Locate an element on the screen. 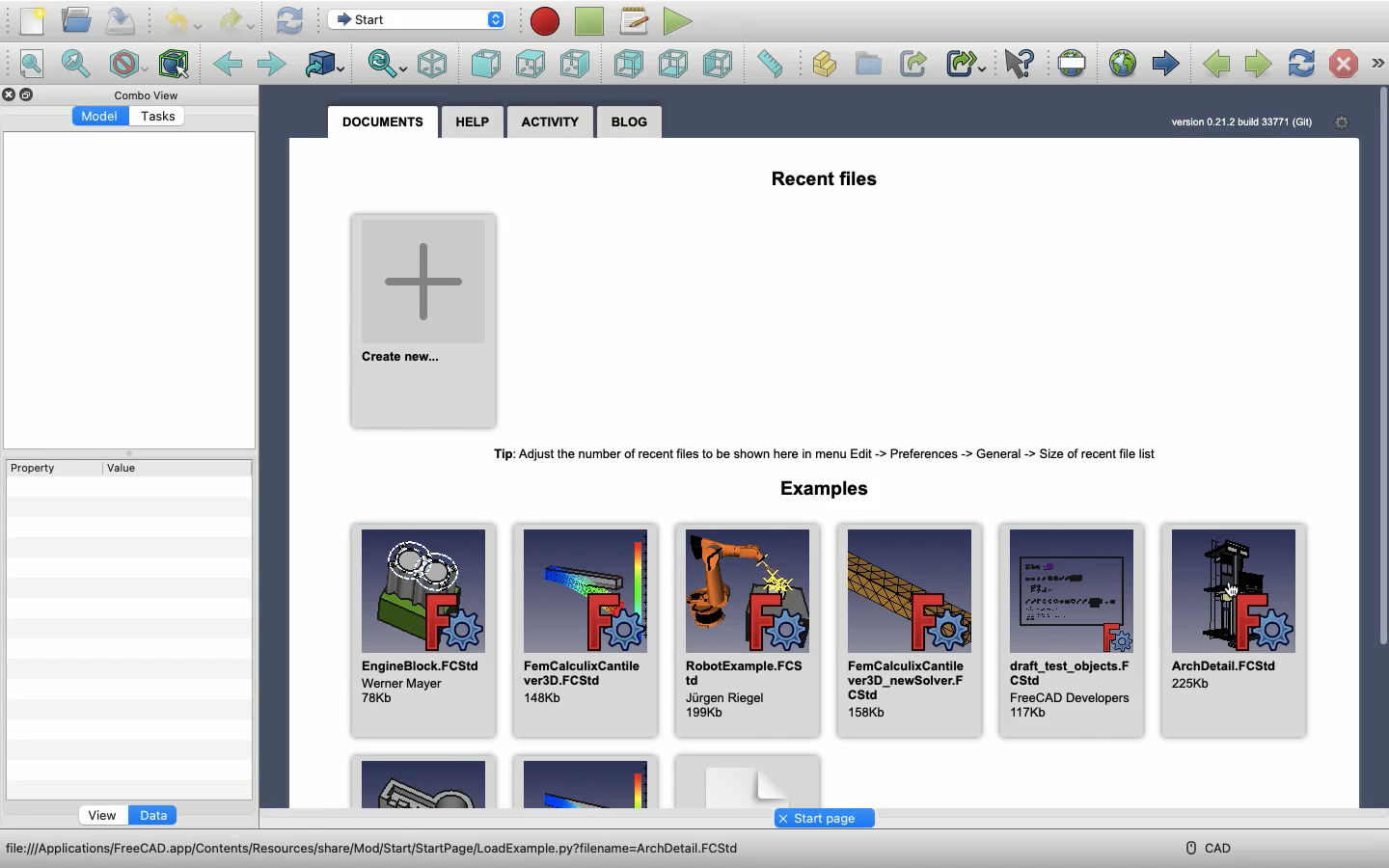  Save is located at coordinates (123, 20).